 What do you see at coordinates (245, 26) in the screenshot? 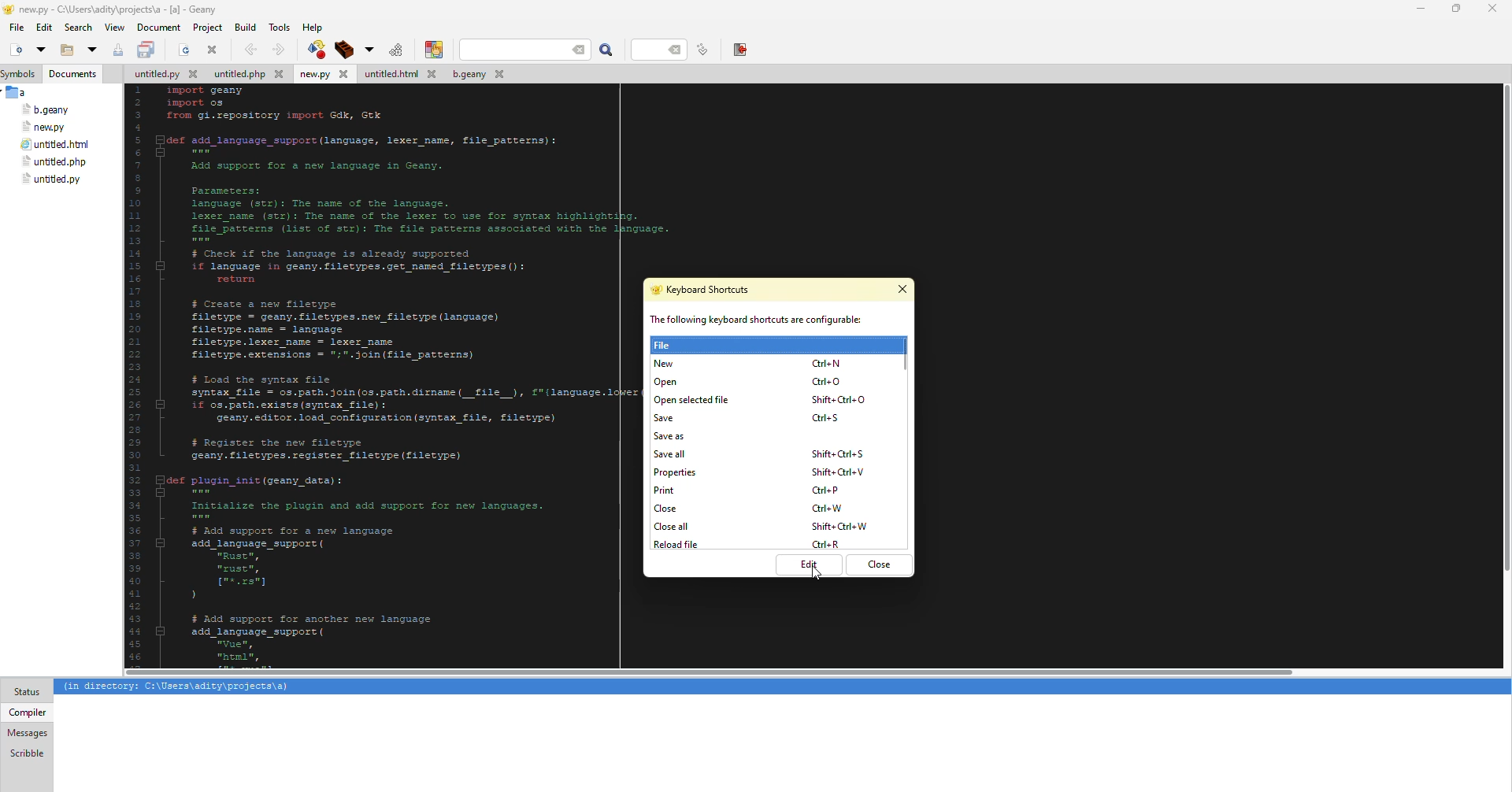
I see `build` at bounding box center [245, 26].